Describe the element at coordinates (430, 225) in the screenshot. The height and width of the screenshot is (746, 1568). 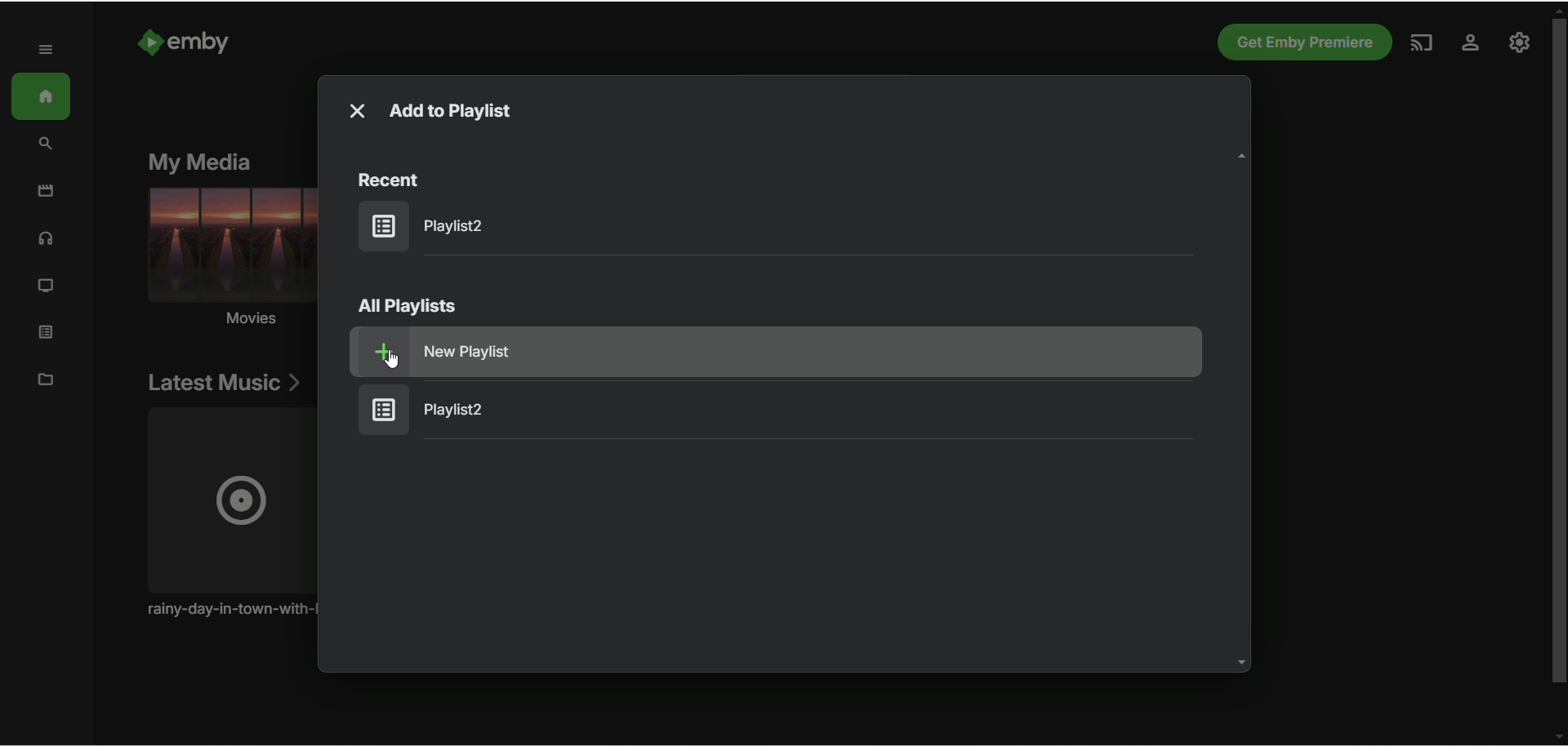
I see `playlist` at that location.